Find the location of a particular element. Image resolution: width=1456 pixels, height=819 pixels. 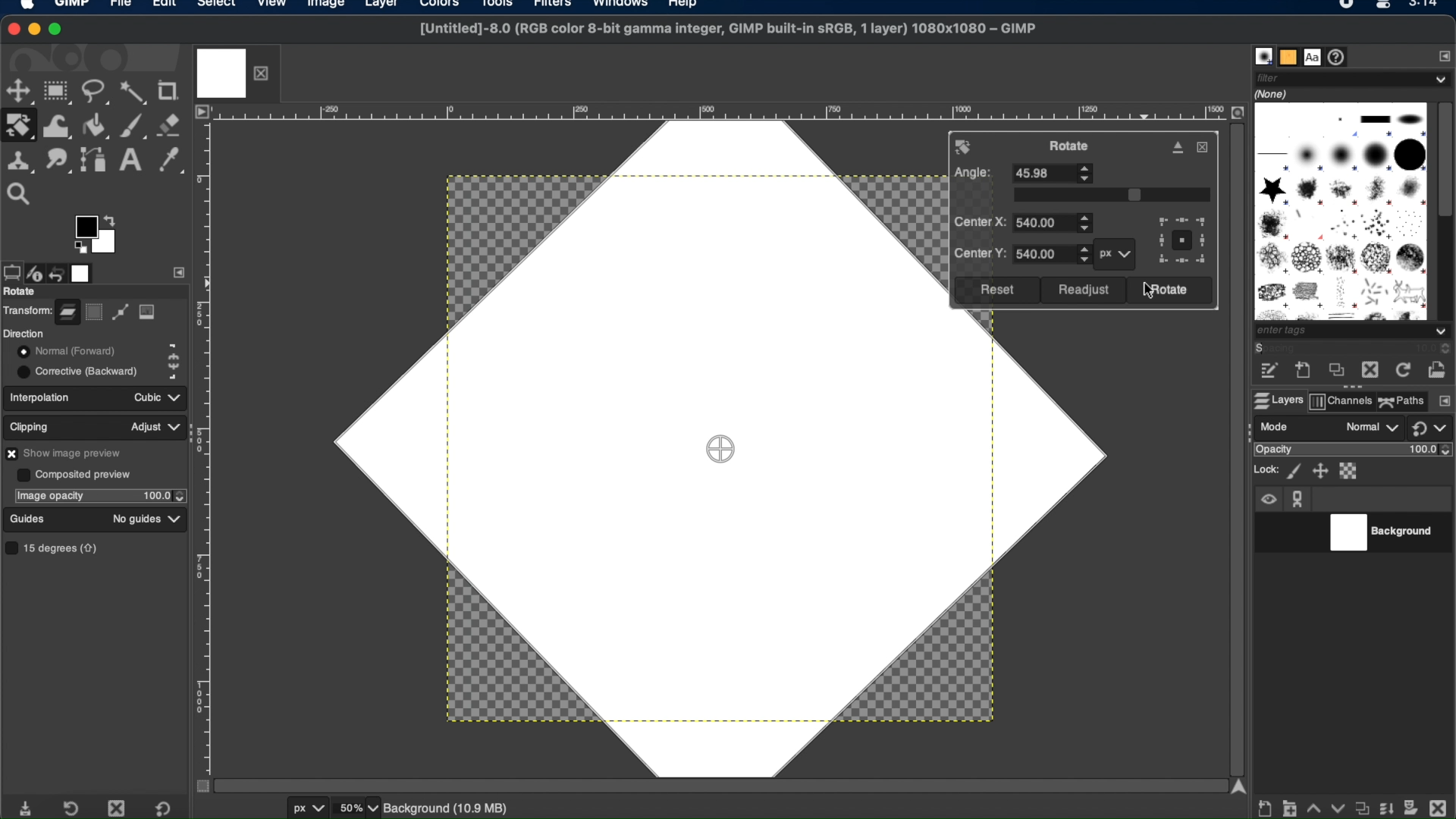

Mac control center is located at coordinates (1380, 7).